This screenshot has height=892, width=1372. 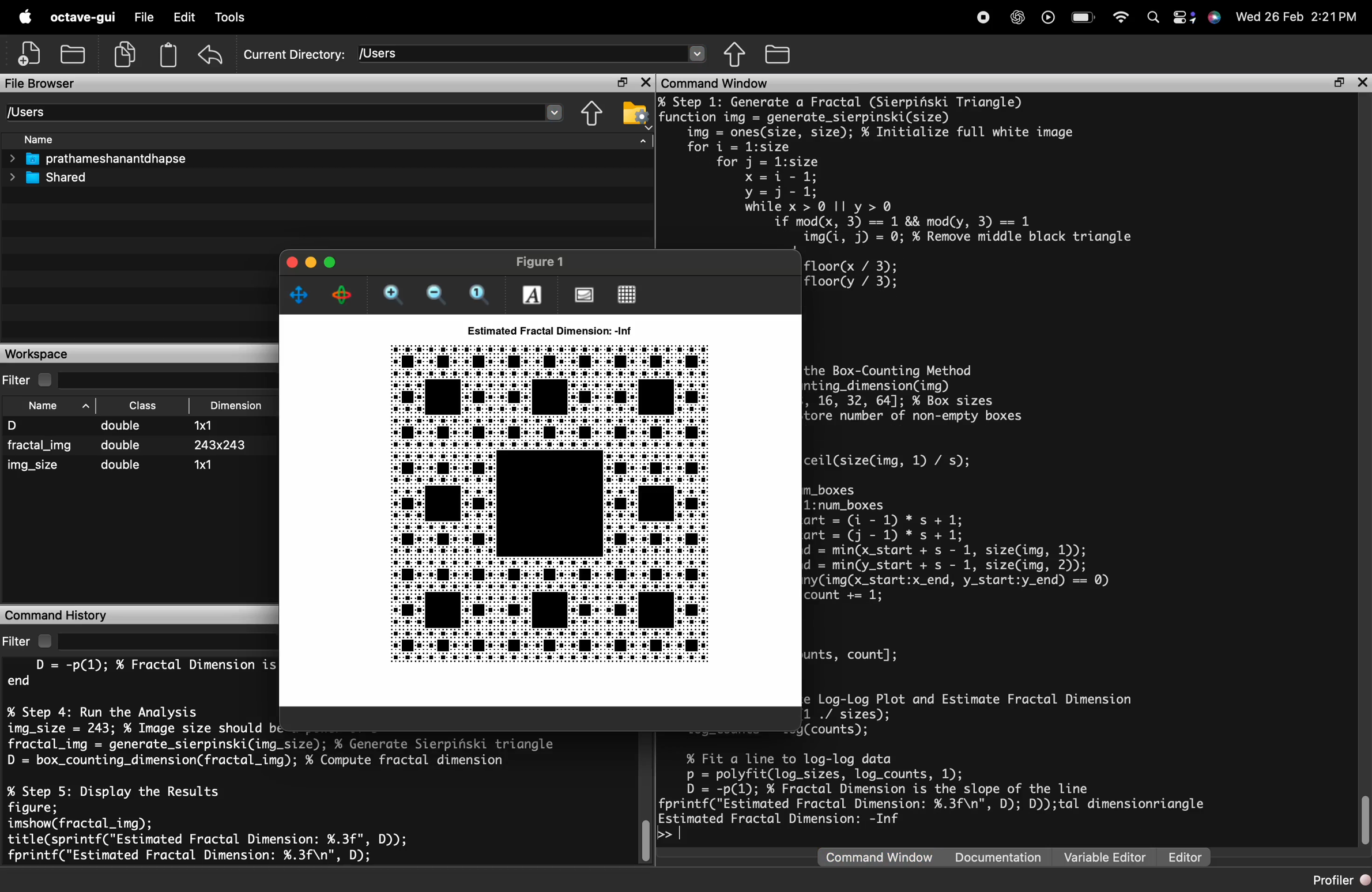 I want to click on code to generate a fractal, so click(x=955, y=170).